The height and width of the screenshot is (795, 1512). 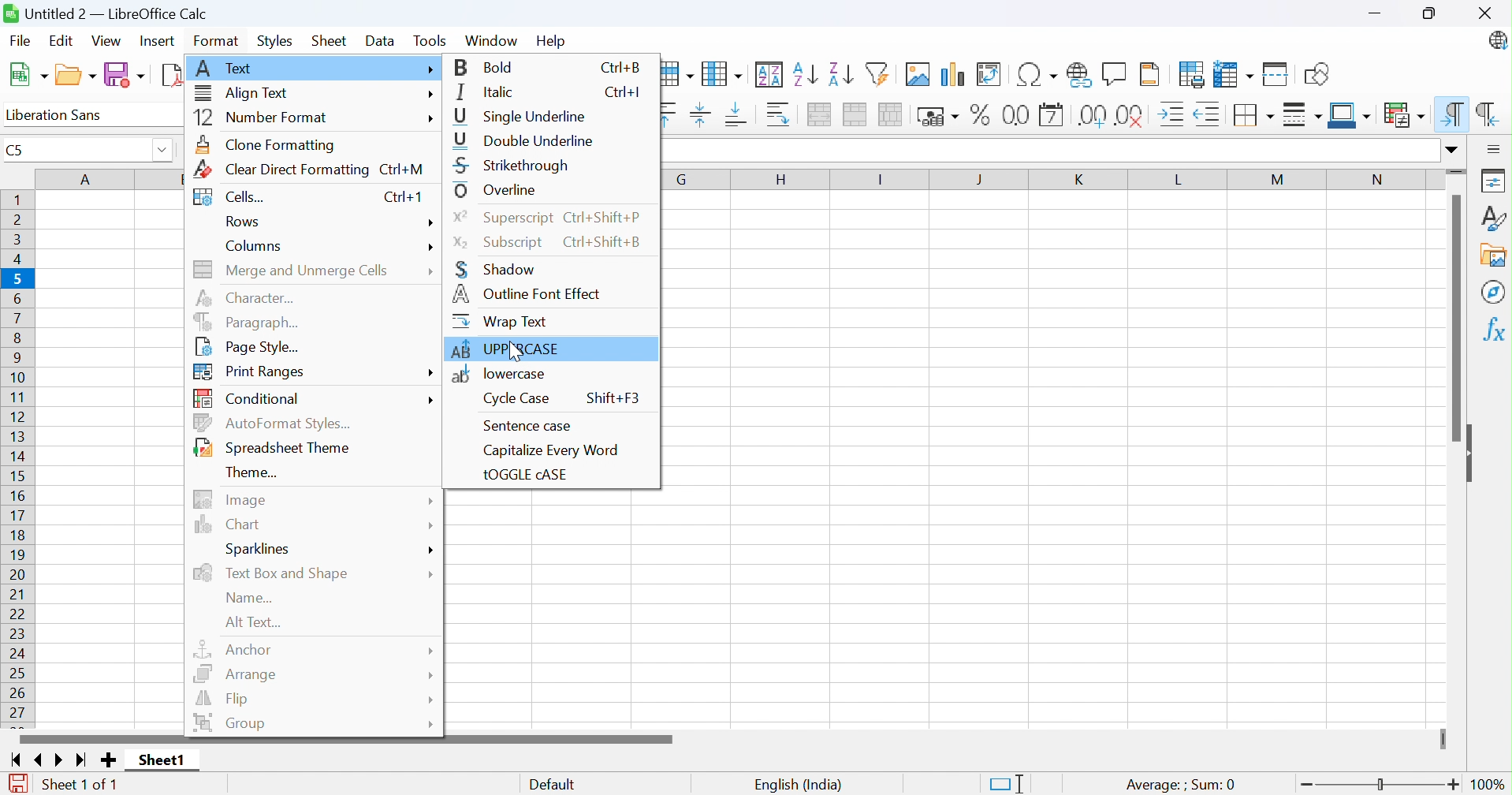 I want to click on The document has been modified. Click to save the document., so click(x=22, y=784).